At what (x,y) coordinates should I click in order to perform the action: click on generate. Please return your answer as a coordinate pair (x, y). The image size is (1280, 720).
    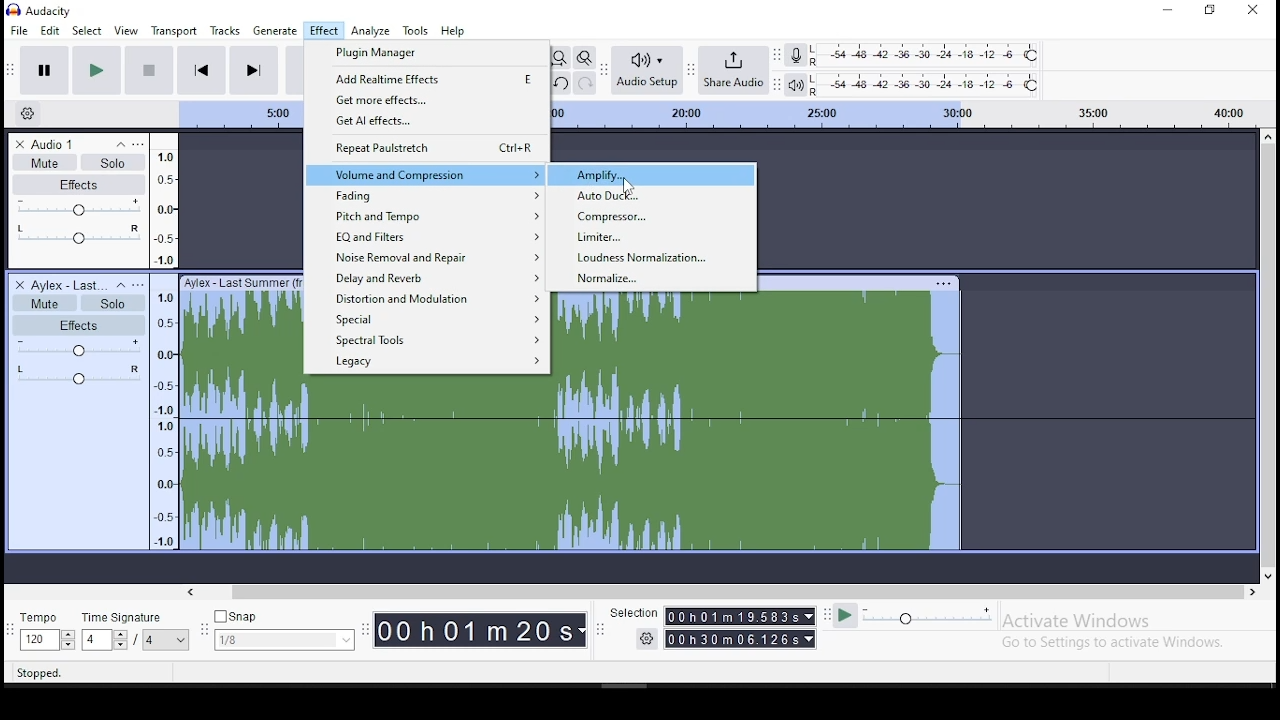
    Looking at the image, I should click on (277, 31).